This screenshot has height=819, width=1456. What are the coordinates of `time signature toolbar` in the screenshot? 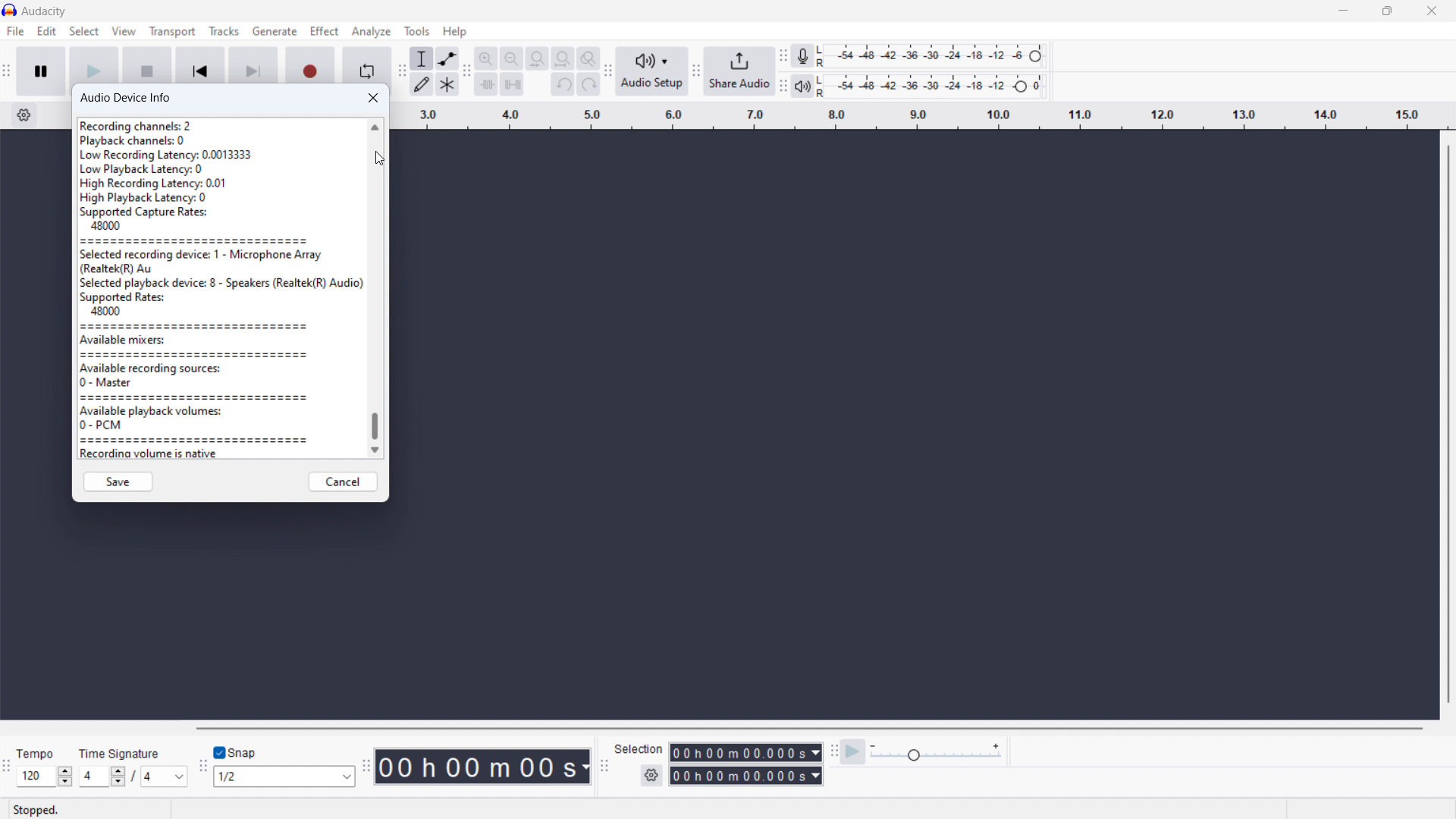 It's located at (7, 768).